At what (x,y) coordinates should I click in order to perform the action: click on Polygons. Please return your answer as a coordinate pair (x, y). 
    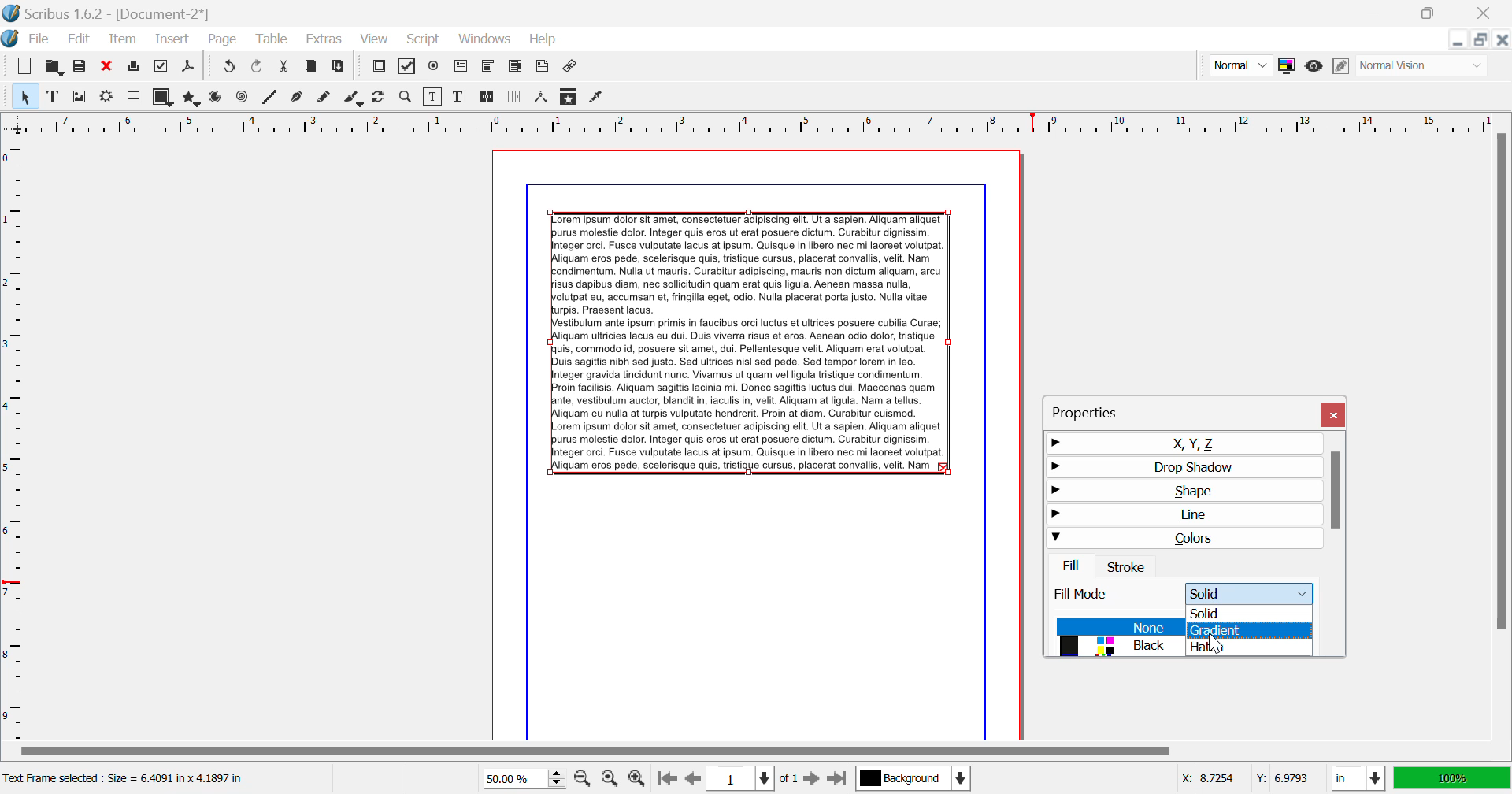
    Looking at the image, I should click on (190, 98).